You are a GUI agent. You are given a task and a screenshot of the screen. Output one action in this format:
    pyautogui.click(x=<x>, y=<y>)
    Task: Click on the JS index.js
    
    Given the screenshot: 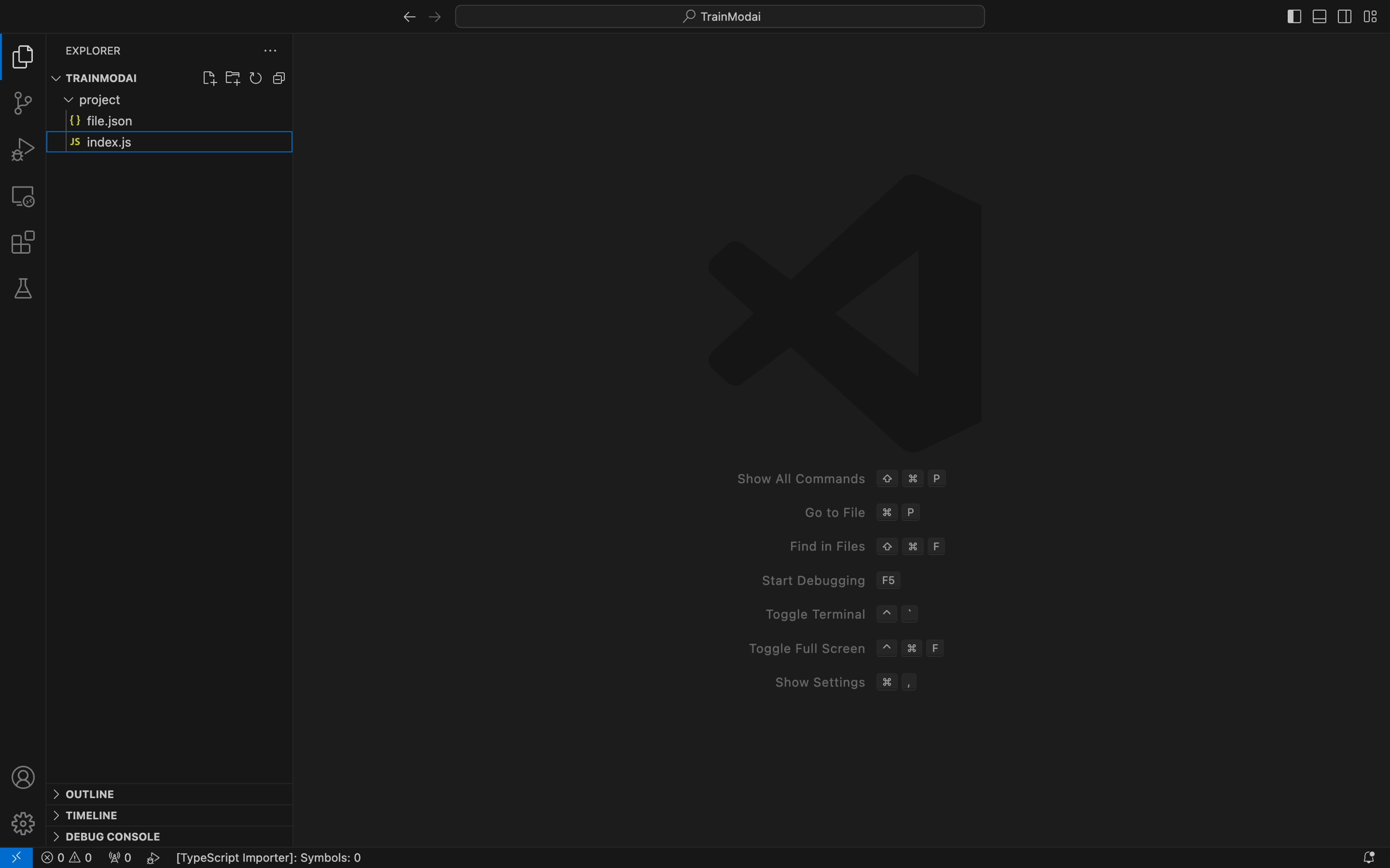 What is the action you would take?
    pyautogui.click(x=176, y=144)
    